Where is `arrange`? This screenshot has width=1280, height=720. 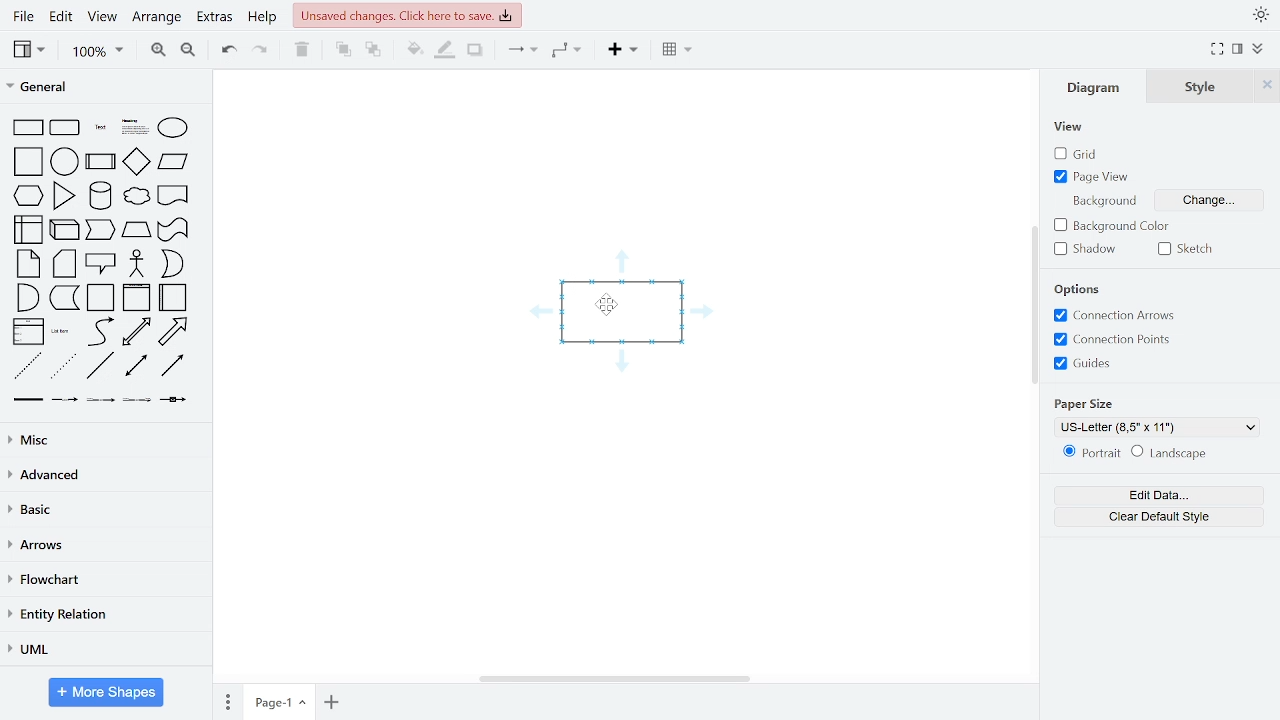
arrange is located at coordinates (157, 18).